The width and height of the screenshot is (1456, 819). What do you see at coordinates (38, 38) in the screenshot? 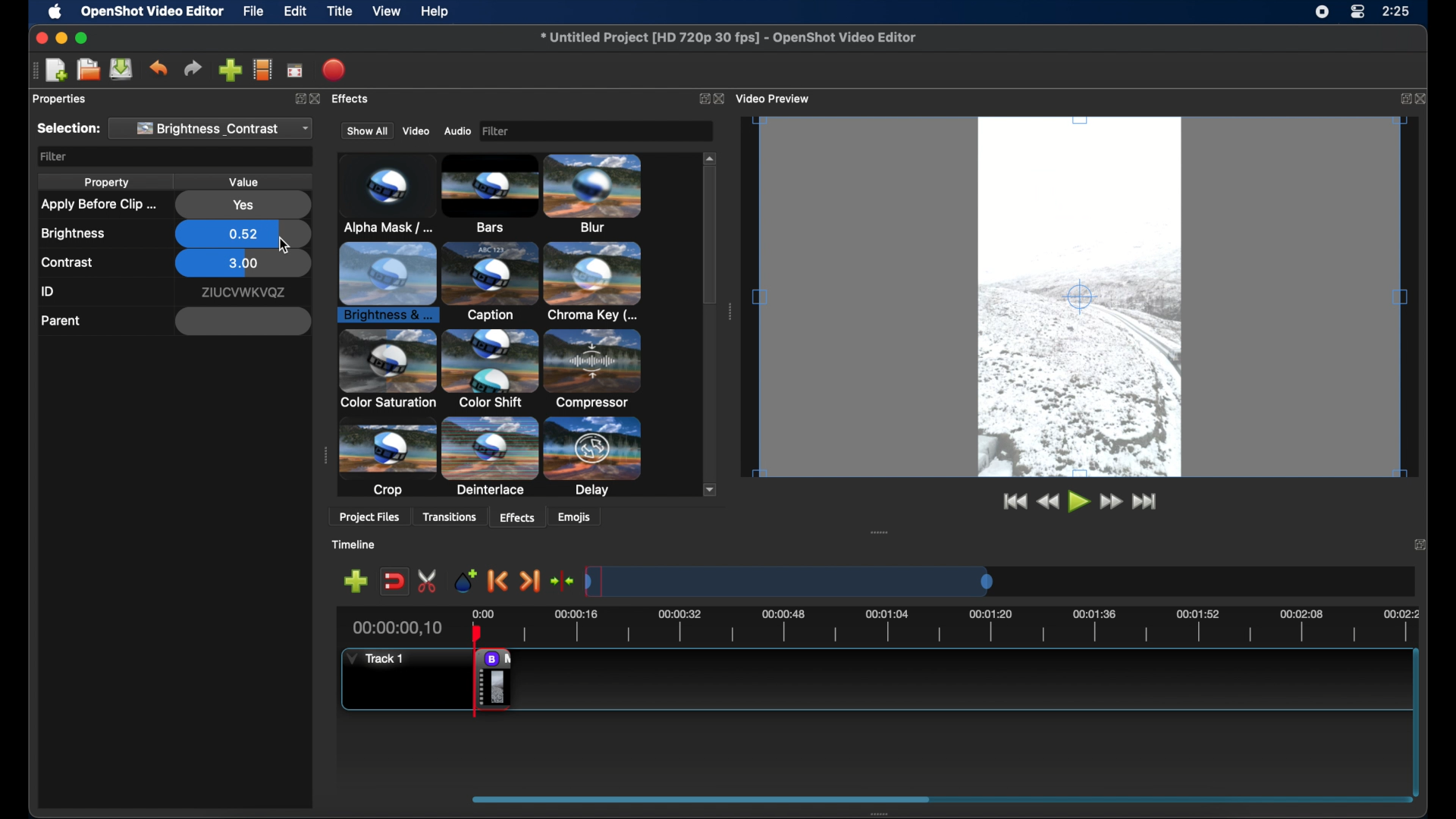
I see `close` at bounding box center [38, 38].